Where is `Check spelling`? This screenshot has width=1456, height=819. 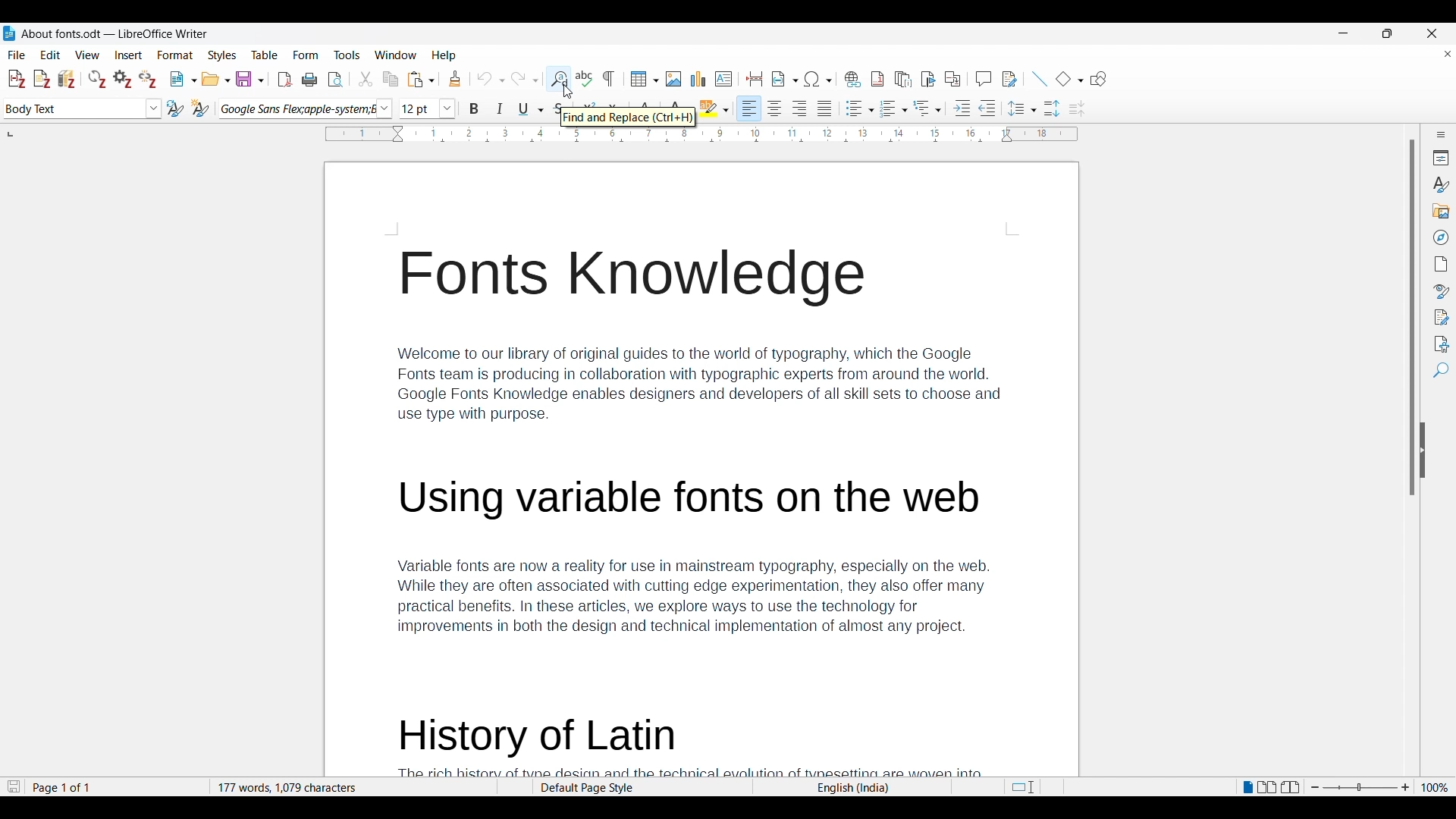
Check spelling is located at coordinates (584, 78).